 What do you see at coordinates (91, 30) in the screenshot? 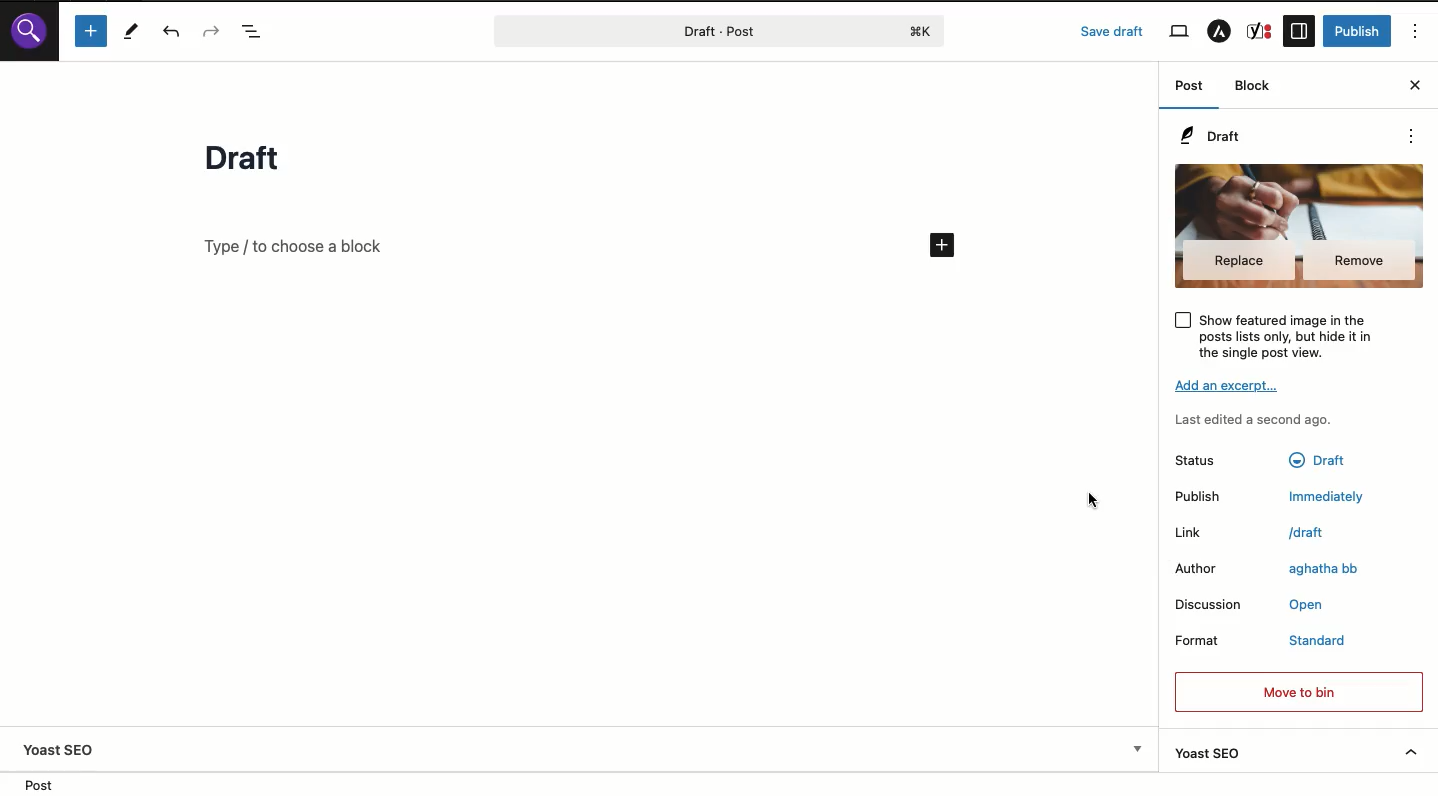
I see `Add new block` at bounding box center [91, 30].